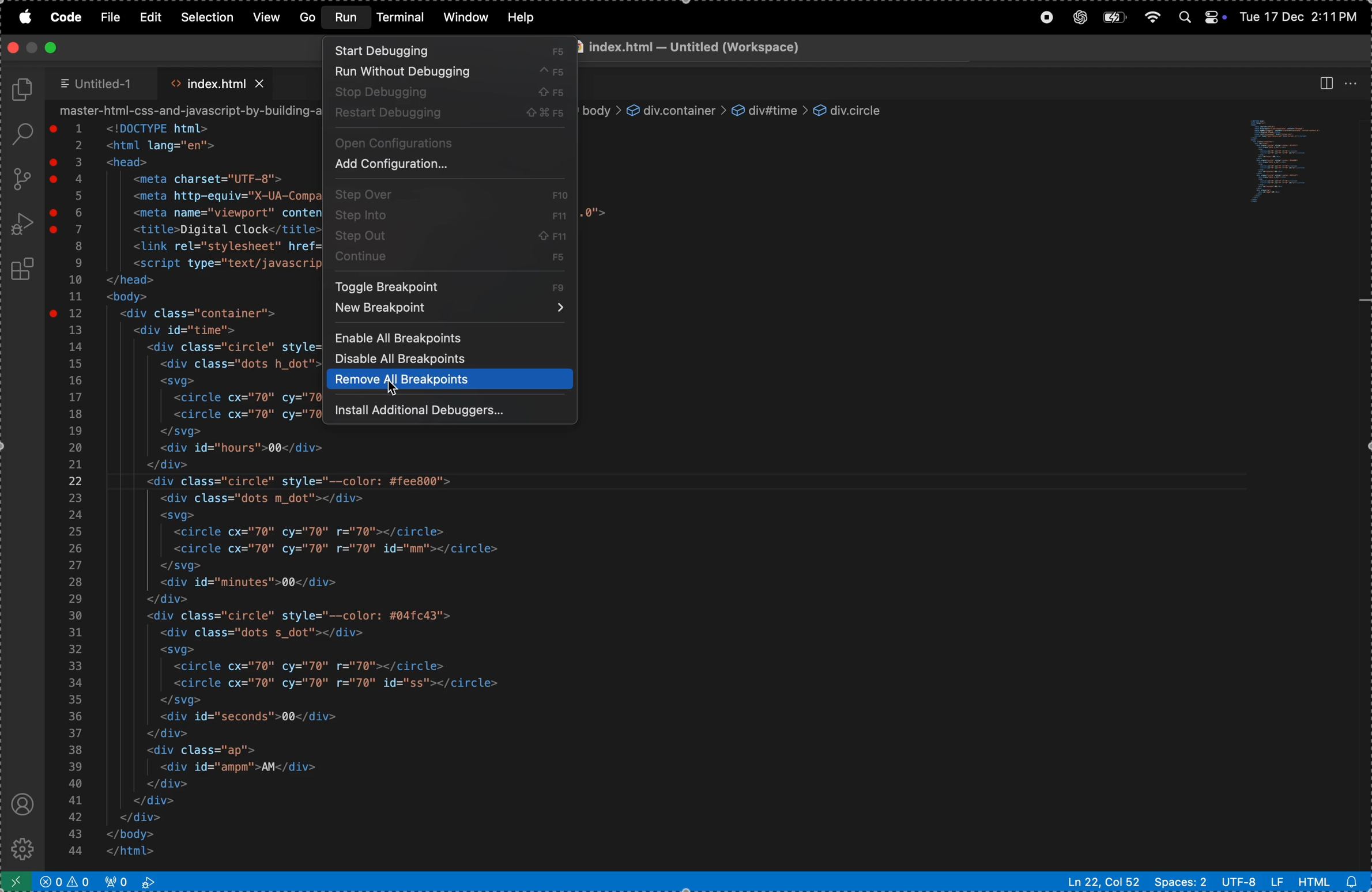 This screenshot has width=1372, height=892. I want to click on options, so click(1354, 81).